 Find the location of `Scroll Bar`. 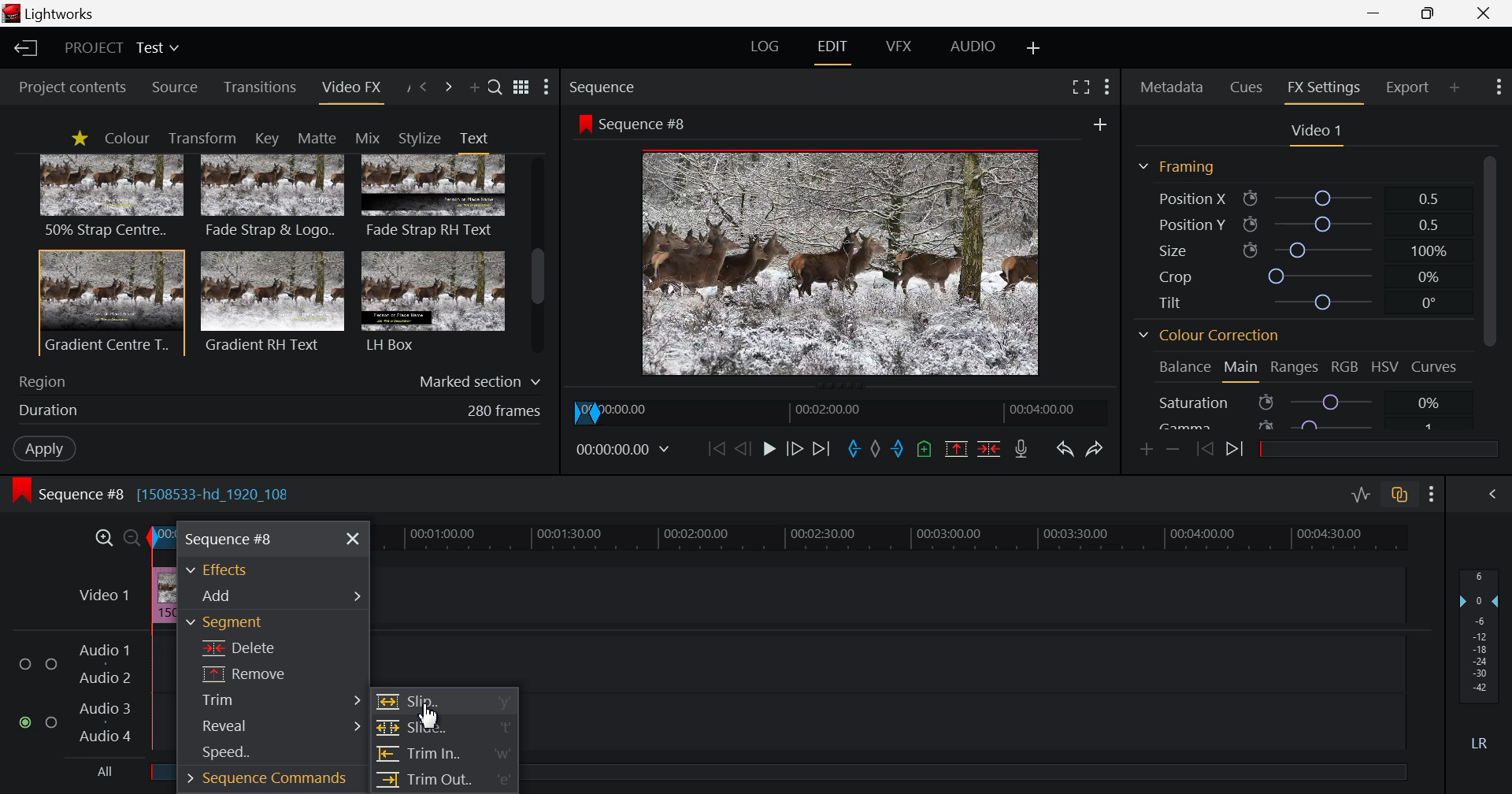

Scroll Bar is located at coordinates (538, 257).